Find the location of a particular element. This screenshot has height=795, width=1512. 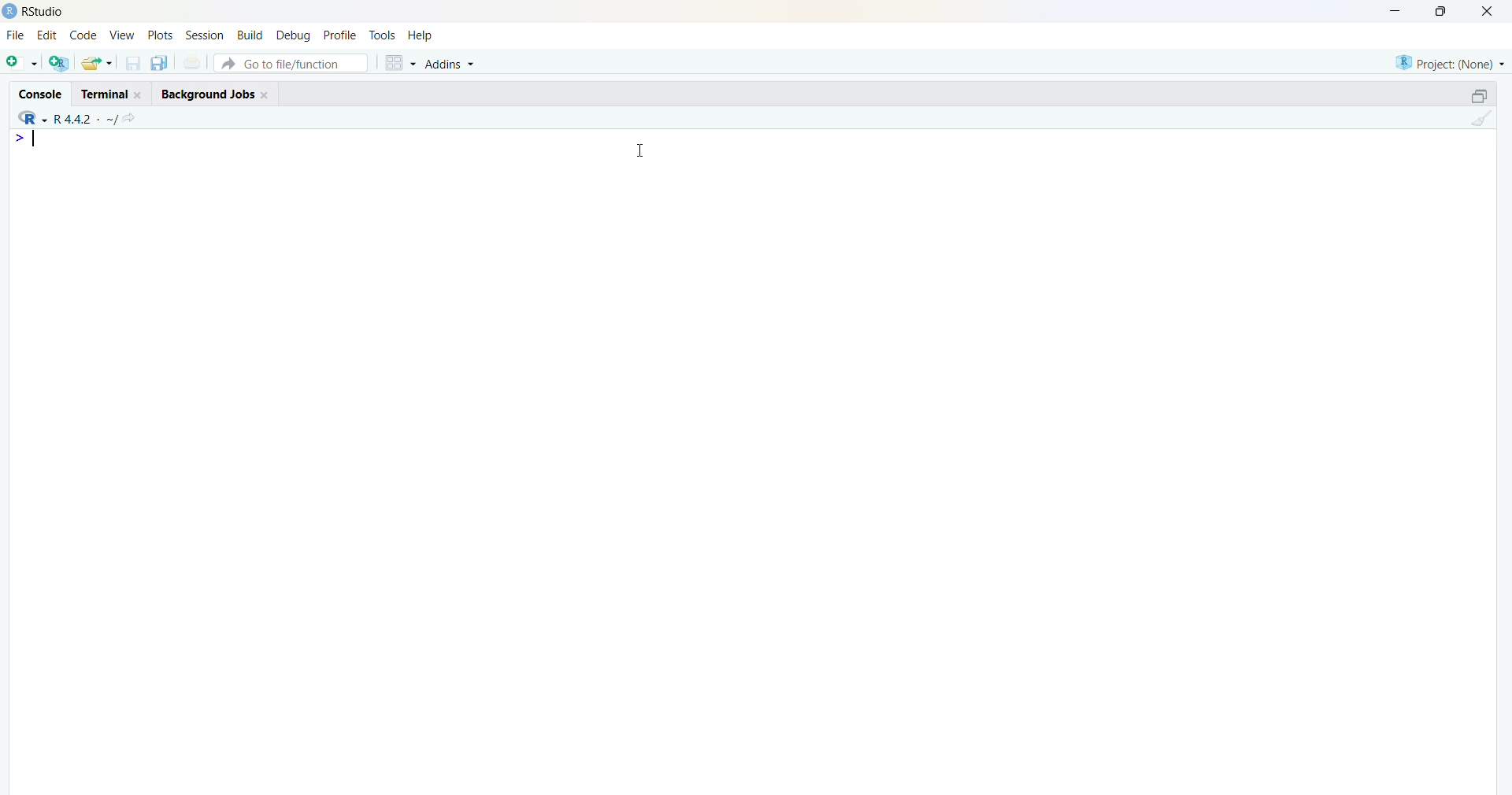

edit is located at coordinates (47, 35).